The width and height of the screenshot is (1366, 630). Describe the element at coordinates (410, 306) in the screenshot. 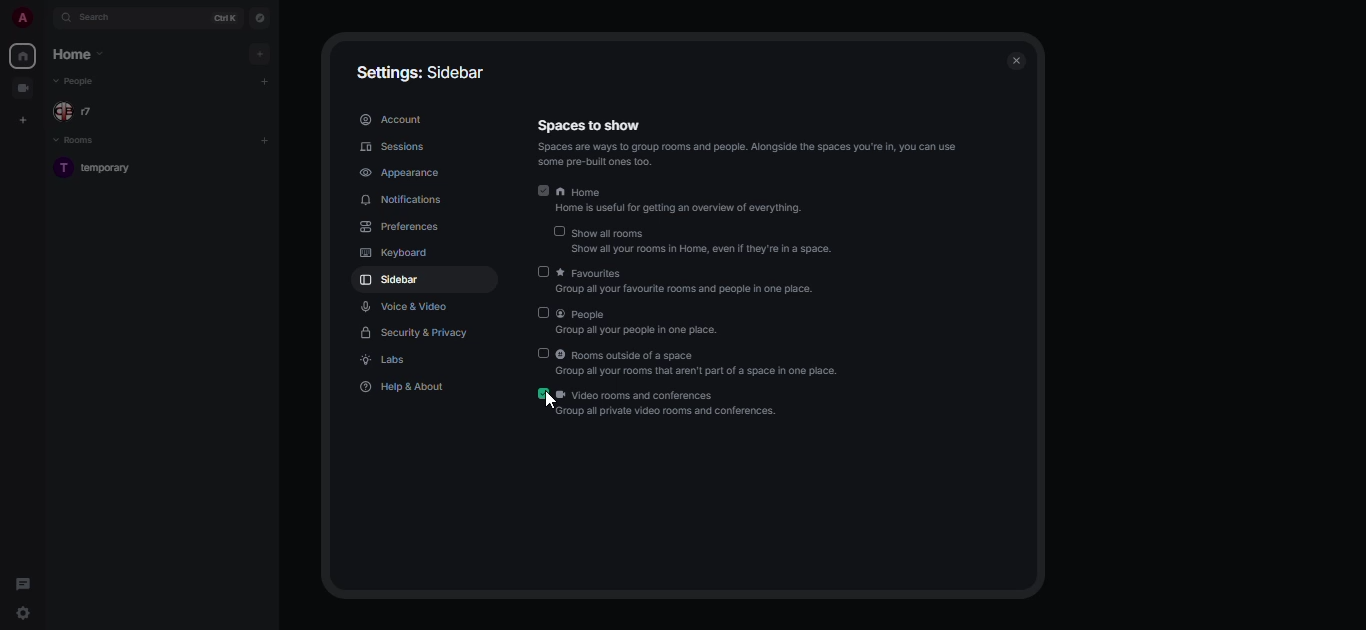

I see `voice & video` at that location.